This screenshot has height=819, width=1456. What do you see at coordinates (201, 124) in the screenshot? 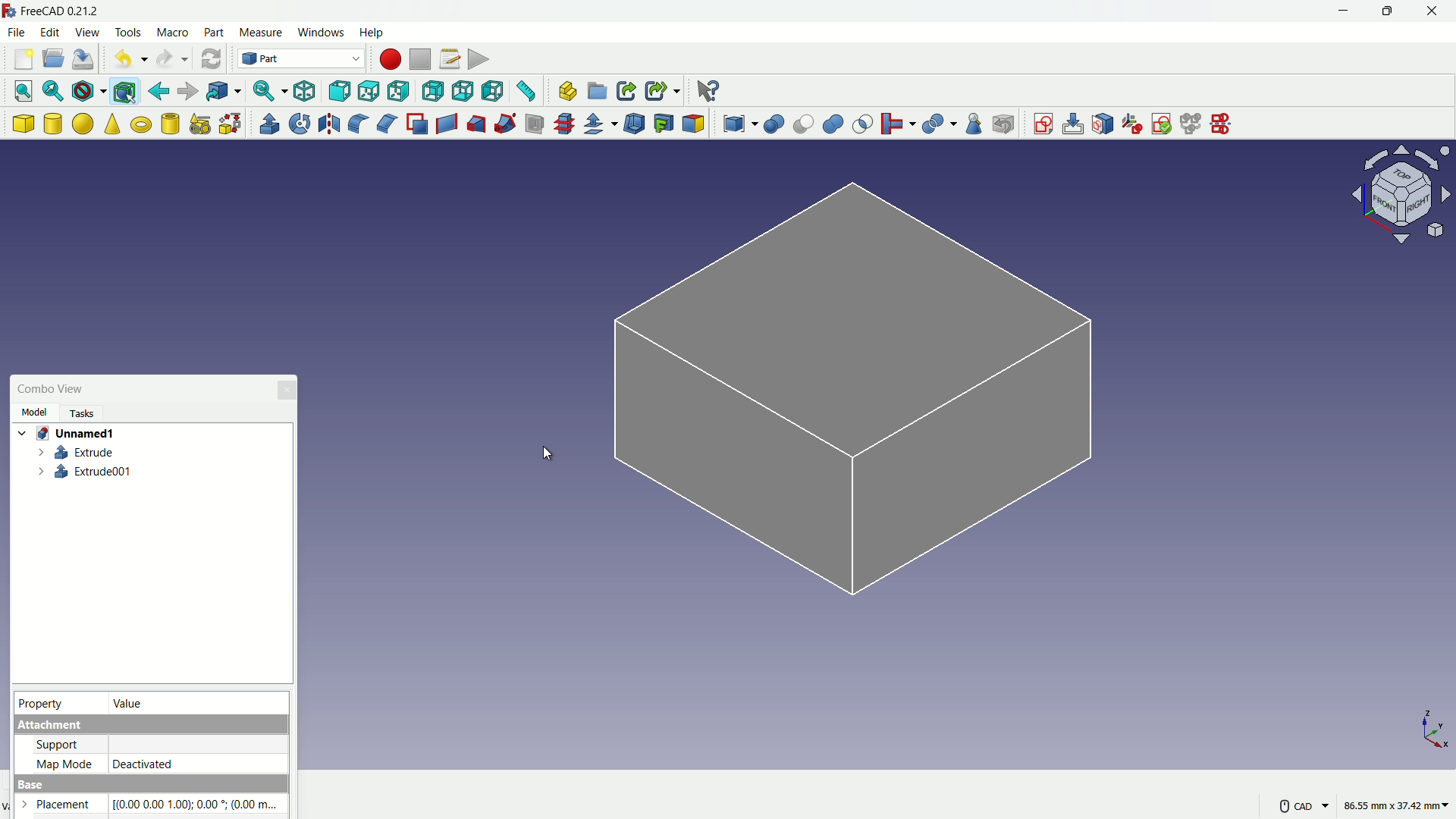
I see `create primitive` at bounding box center [201, 124].